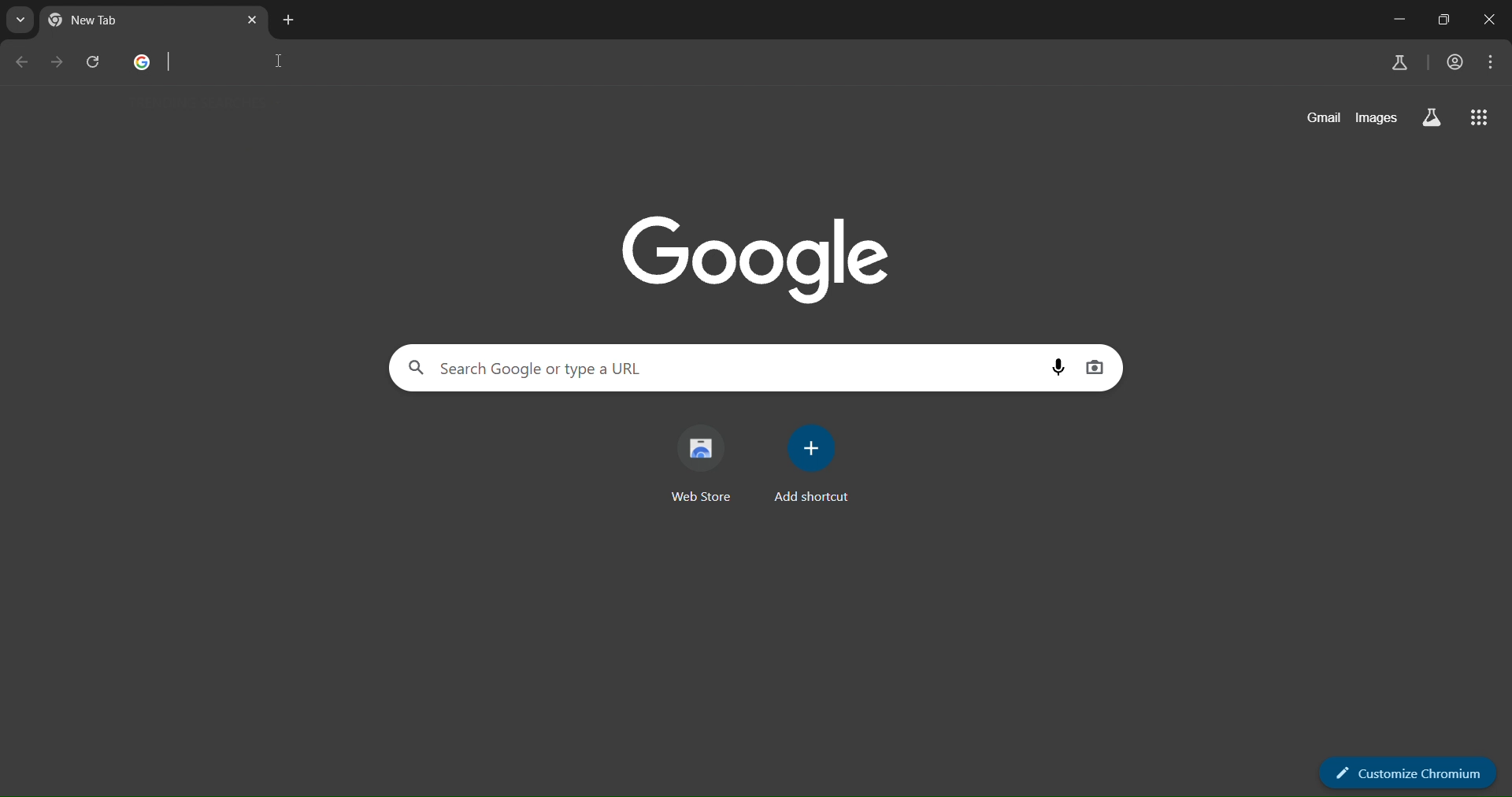 This screenshot has height=797, width=1512. I want to click on go forward one page, so click(57, 61).